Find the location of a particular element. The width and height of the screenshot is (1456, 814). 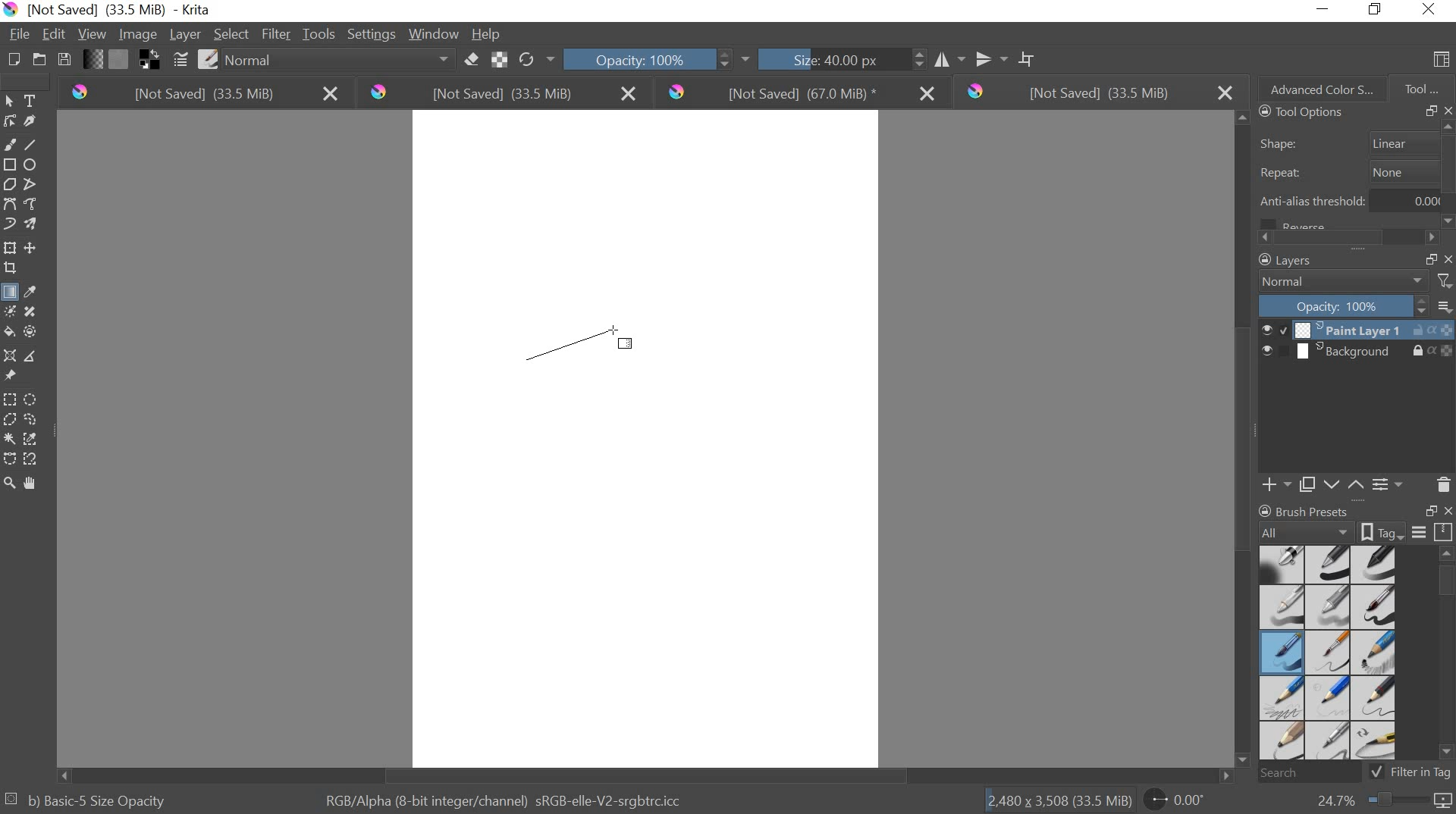

similar color selection is located at coordinates (33, 439).